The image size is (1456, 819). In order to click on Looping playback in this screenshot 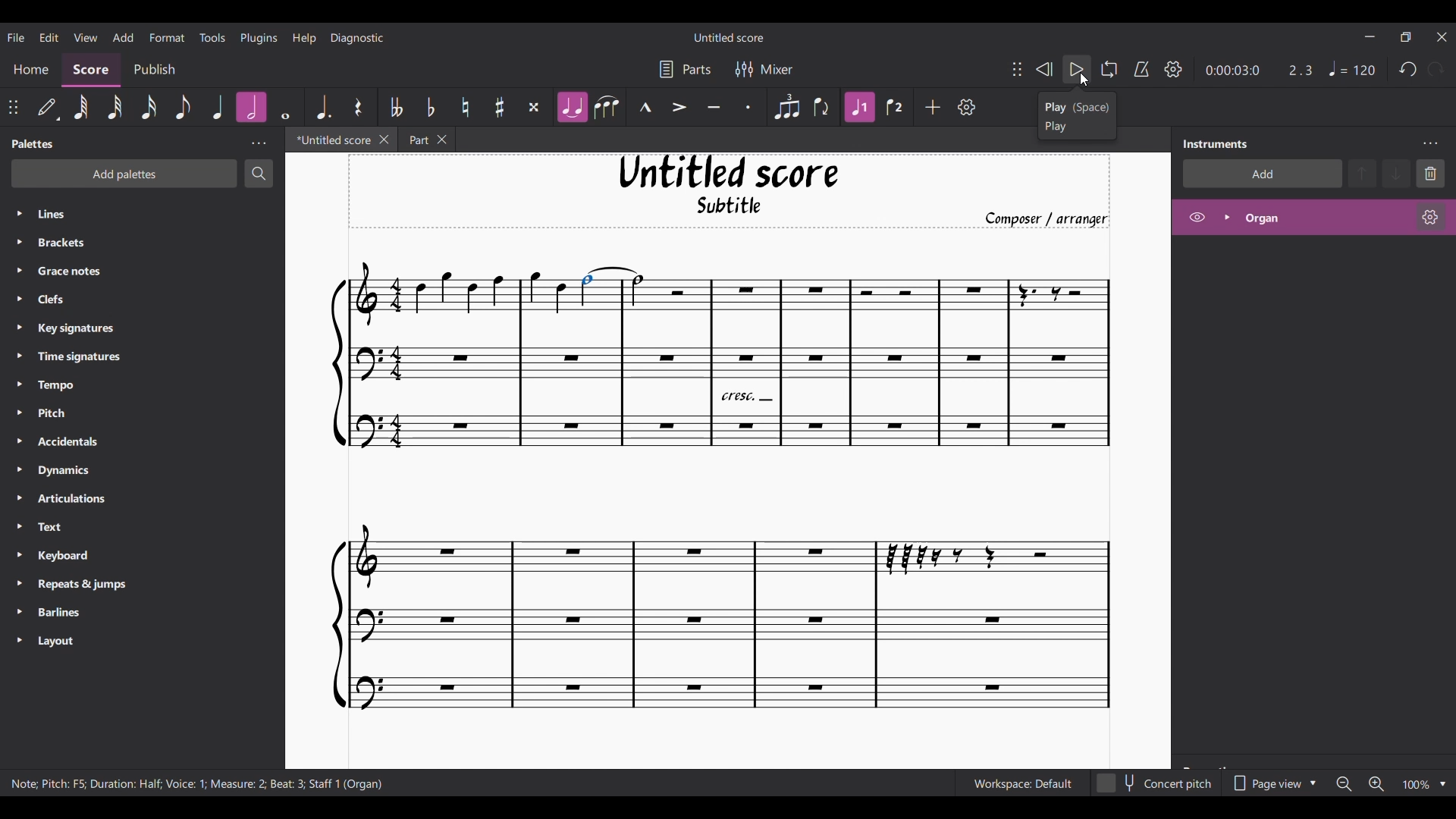, I will do `click(1109, 69)`.